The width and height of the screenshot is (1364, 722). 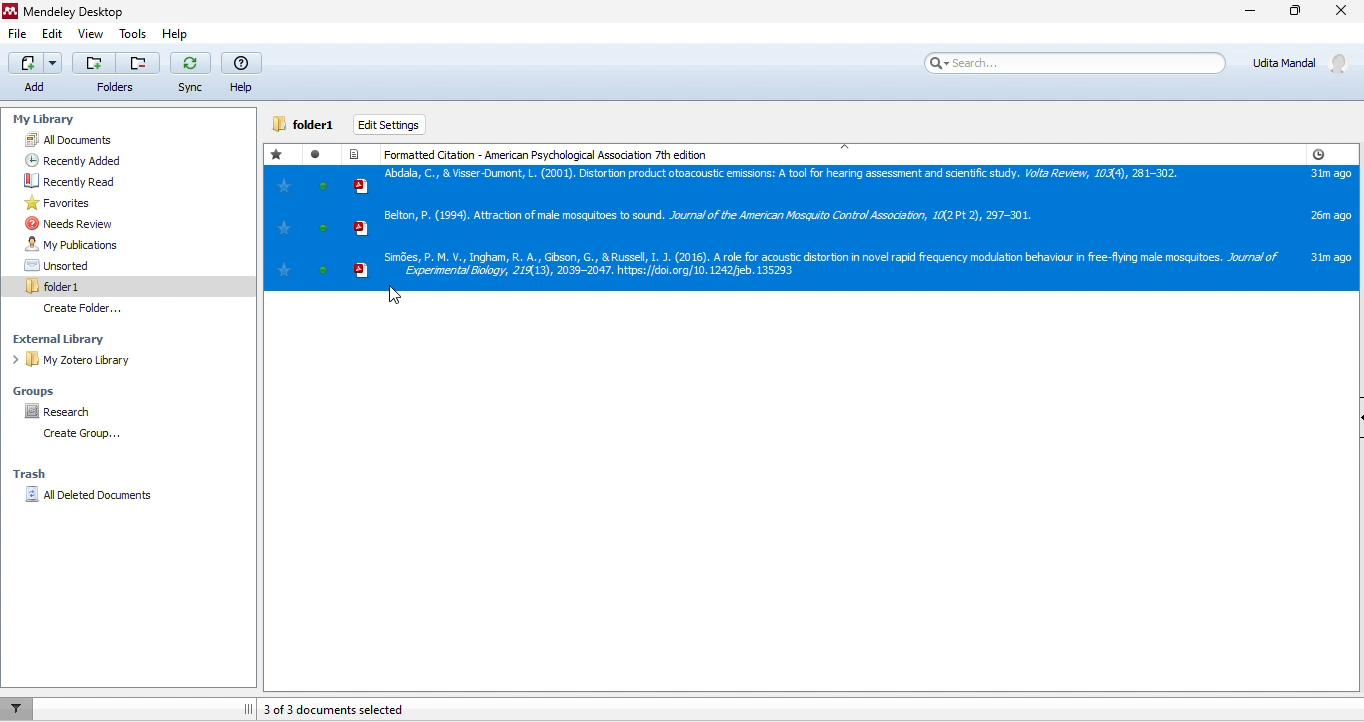 I want to click on my library, so click(x=90, y=120).